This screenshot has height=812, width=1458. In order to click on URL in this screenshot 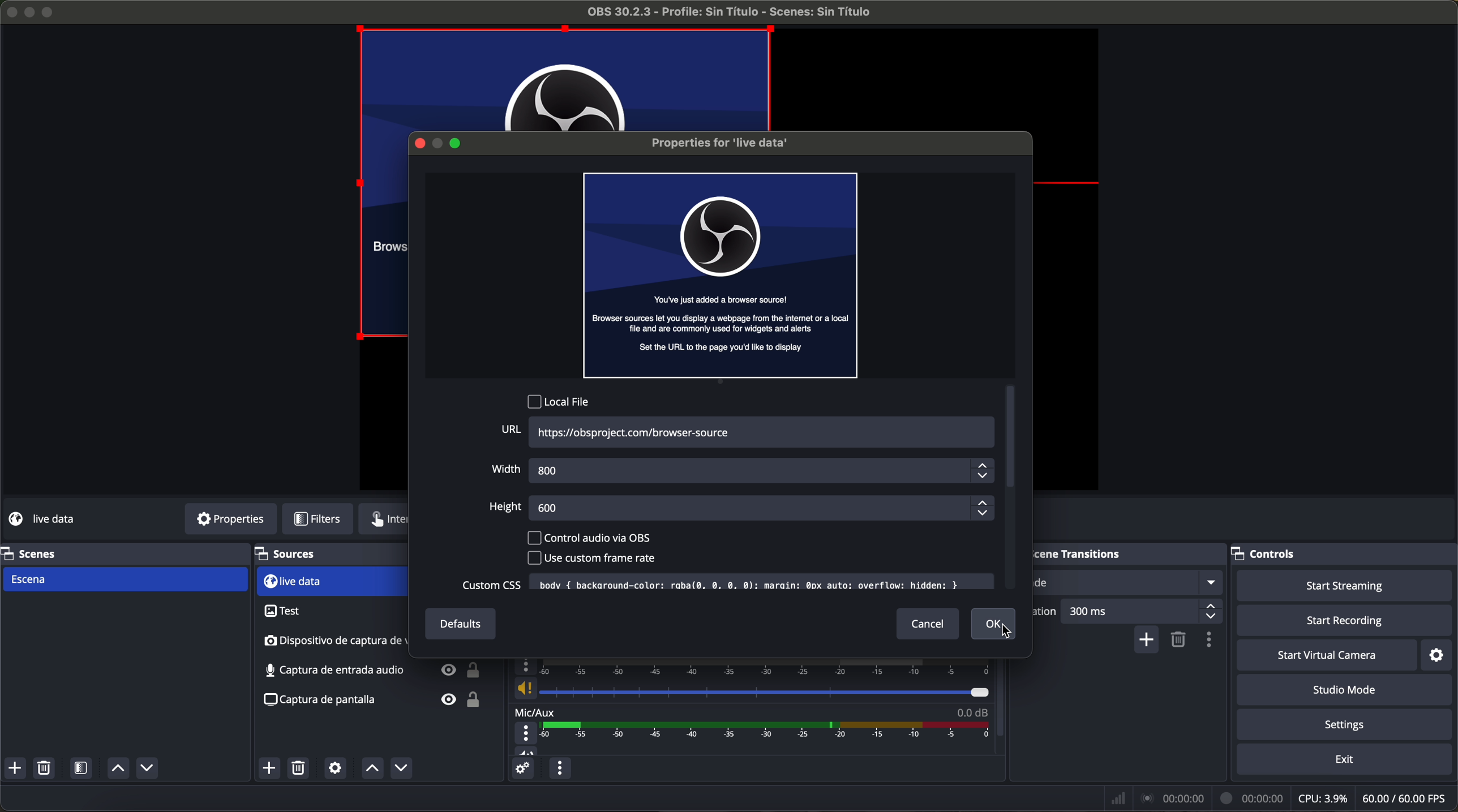, I will do `click(508, 429)`.